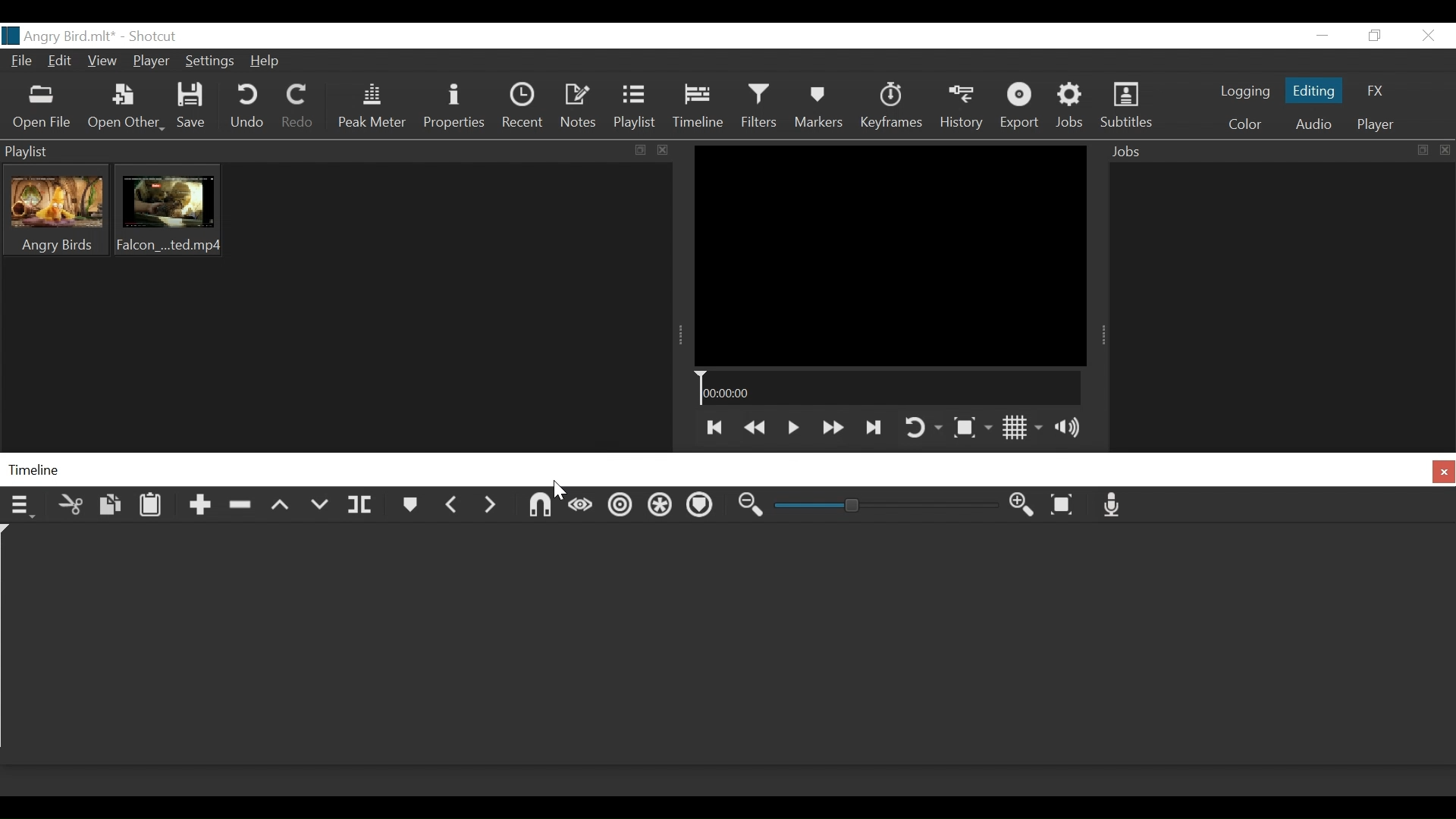 The width and height of the screenshot is (1456, 819). I want to click on Player, so click(152, 63).